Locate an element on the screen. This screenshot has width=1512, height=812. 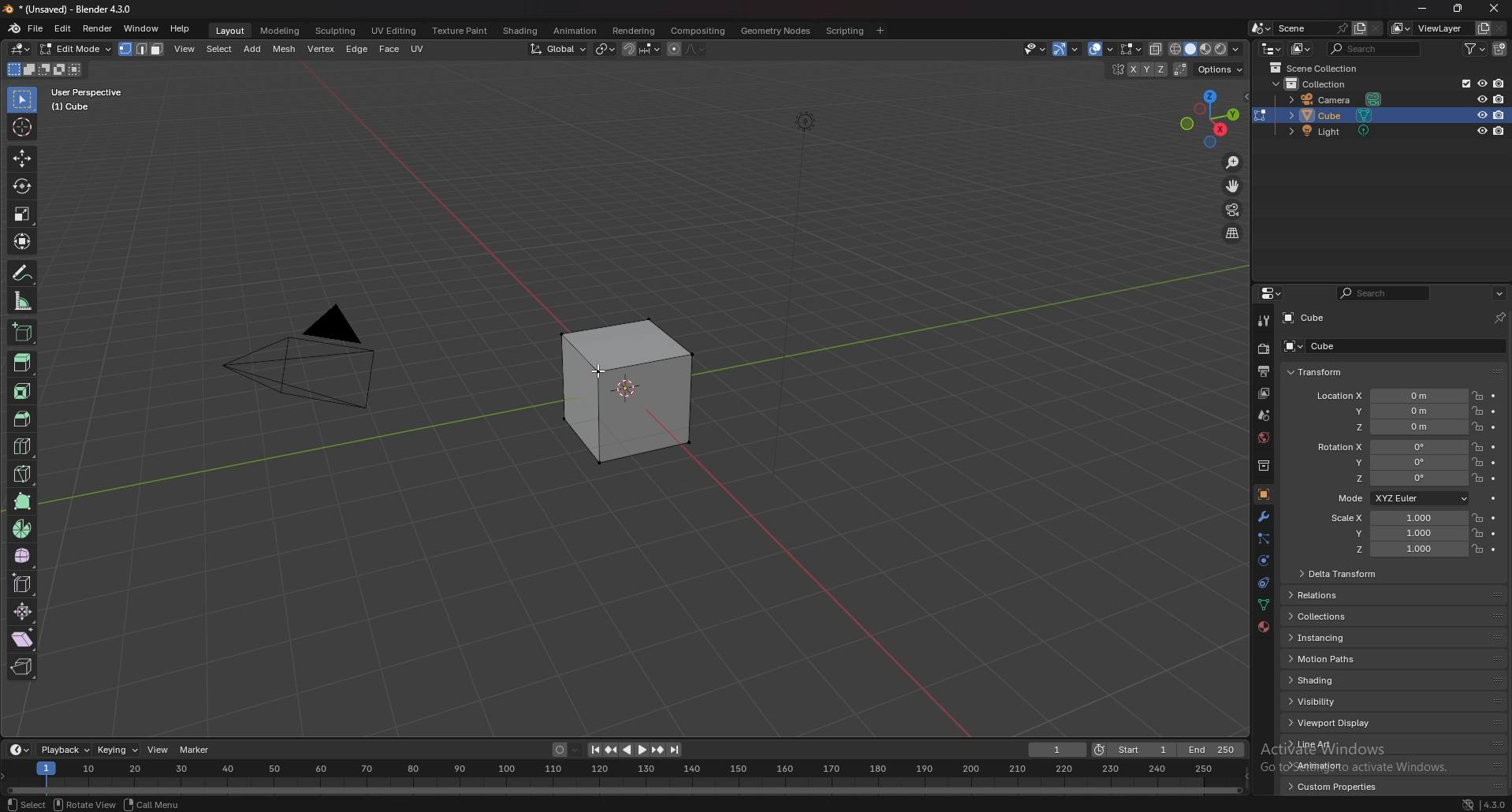
measure is located at coordinates (24, 302).